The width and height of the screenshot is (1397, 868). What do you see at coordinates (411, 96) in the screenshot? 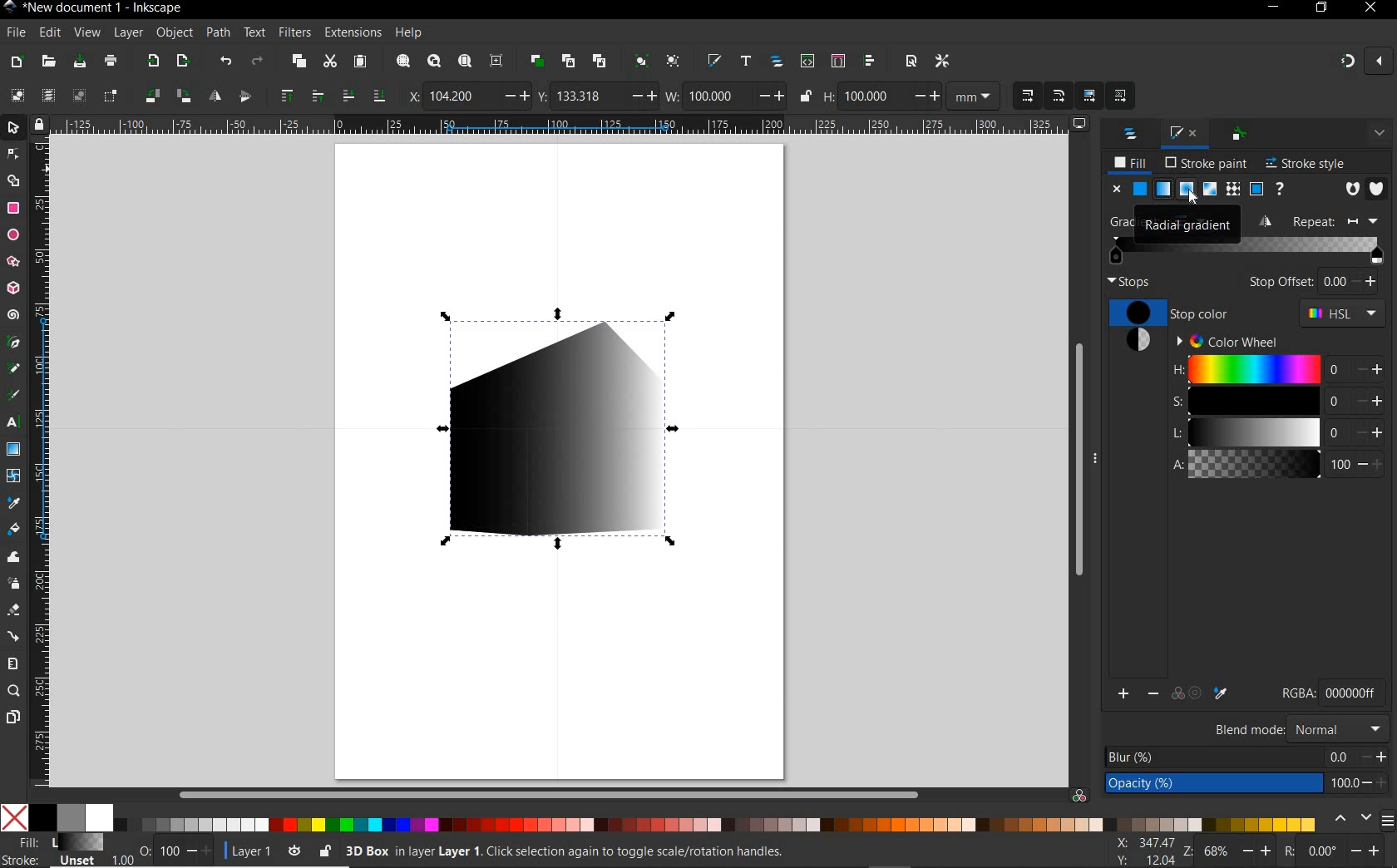
I see `HORIZONTAL COORDINATE SELECTION` at bounding box center [411, 96].